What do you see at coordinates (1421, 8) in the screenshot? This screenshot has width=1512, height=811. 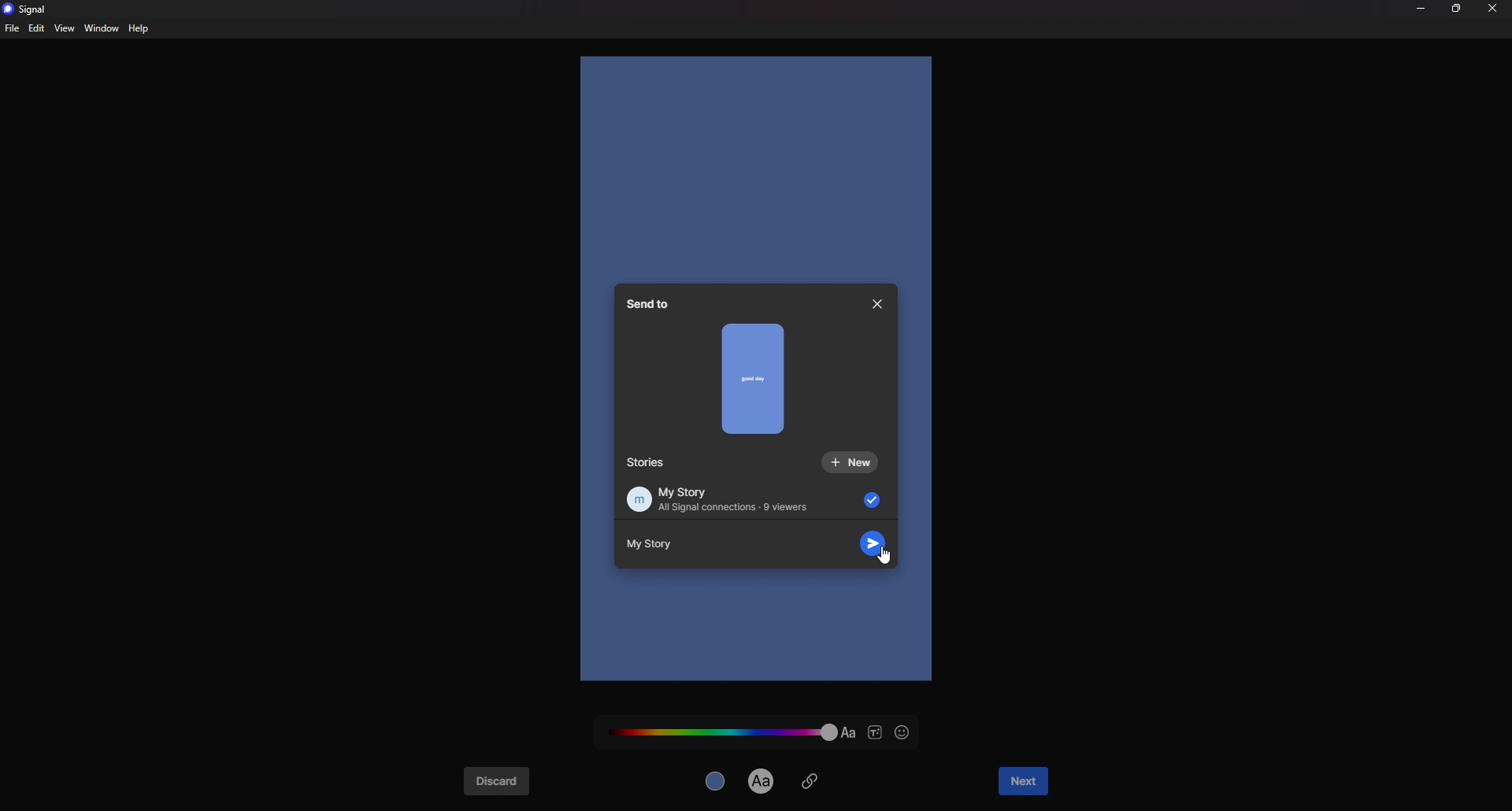 I see `minimize` at bounding box center [1421, 8].